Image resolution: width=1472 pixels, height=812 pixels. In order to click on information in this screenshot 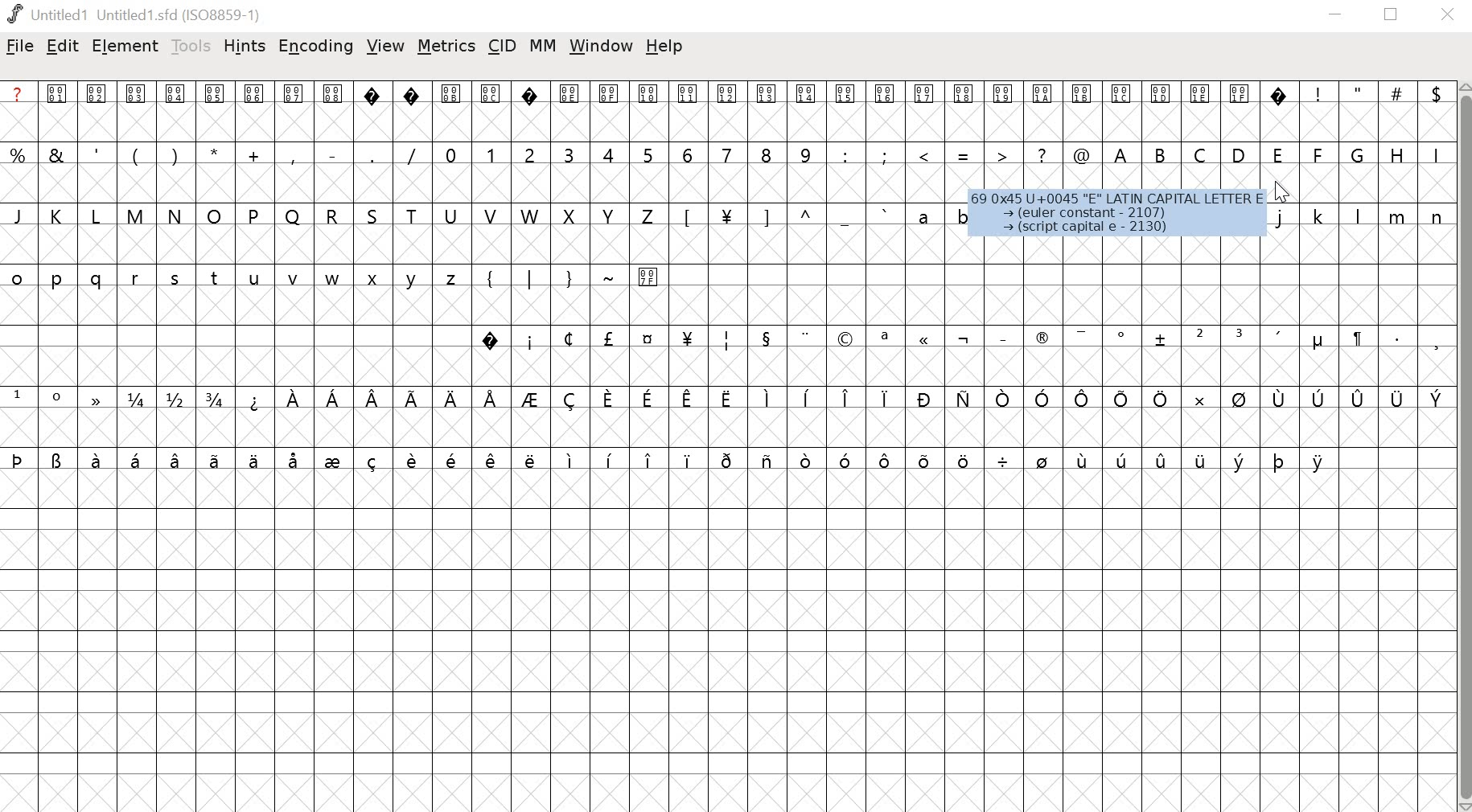, I will do `click(1116, 216)`.